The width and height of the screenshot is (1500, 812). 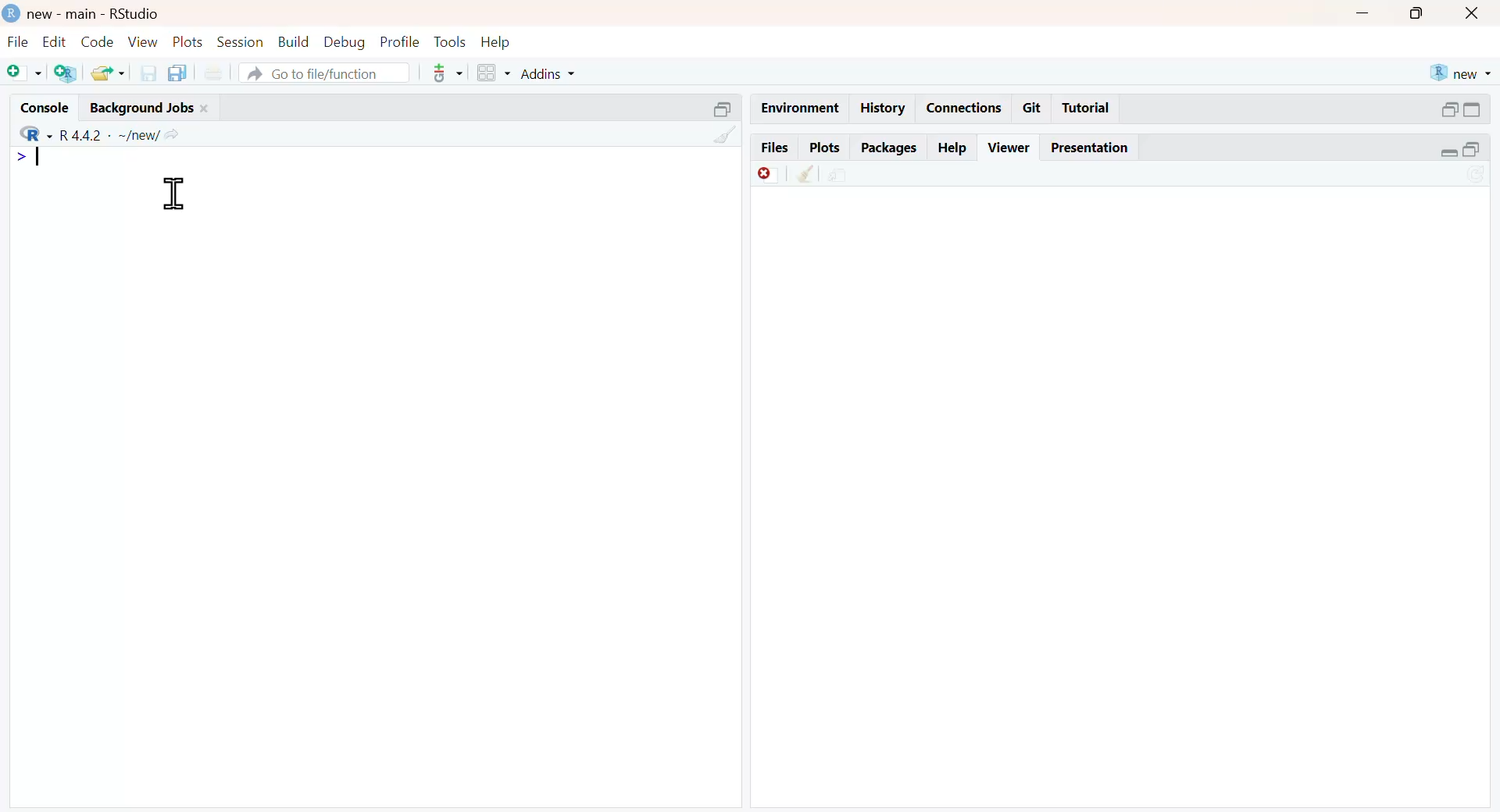 I want to click on file, so click(x=18, y=41).